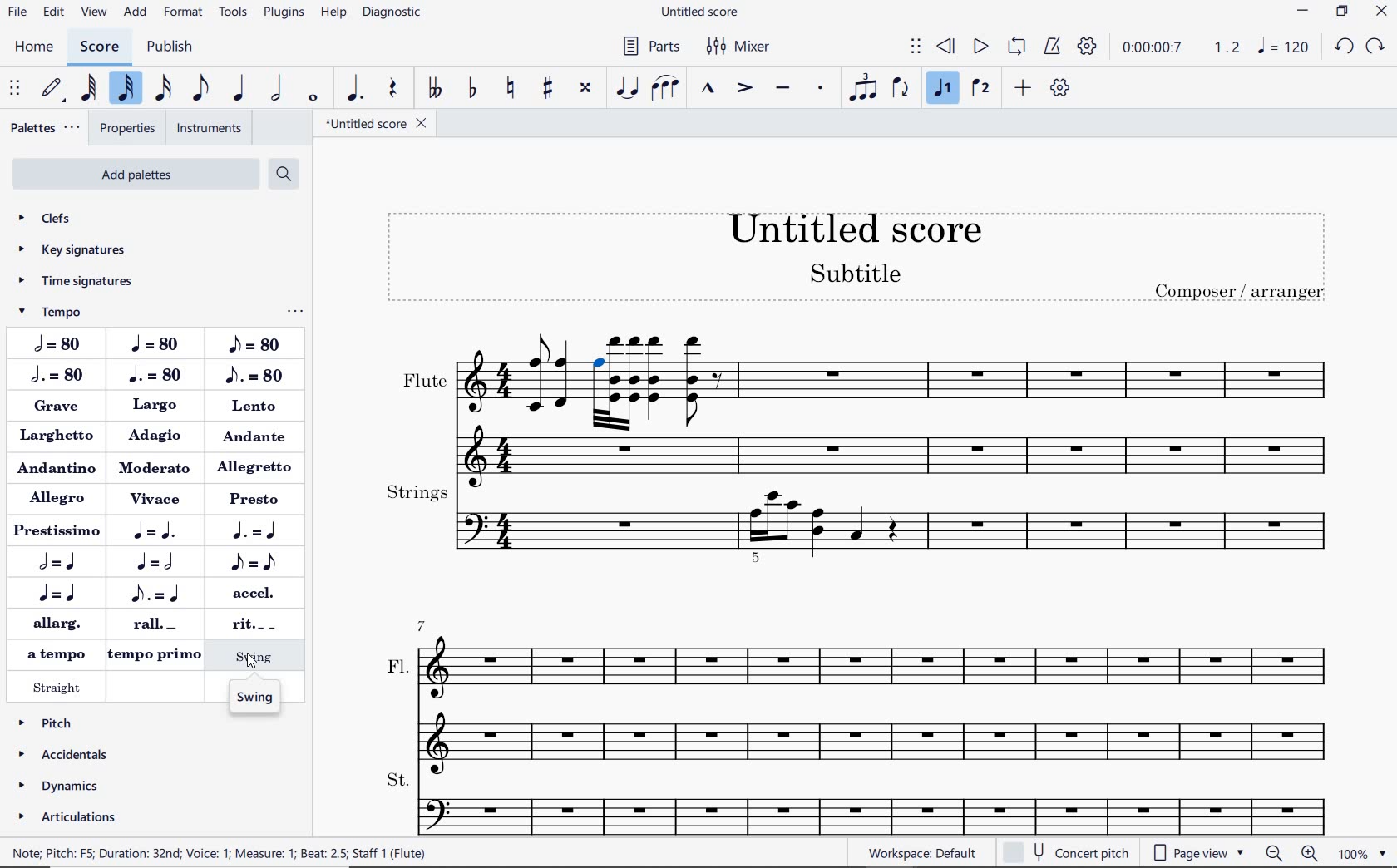  What do you see at coordinates (63, 563) in the screenshot?
I see `METRIC MODULATION: HALF NOTE` at bounding box center [63, 563].